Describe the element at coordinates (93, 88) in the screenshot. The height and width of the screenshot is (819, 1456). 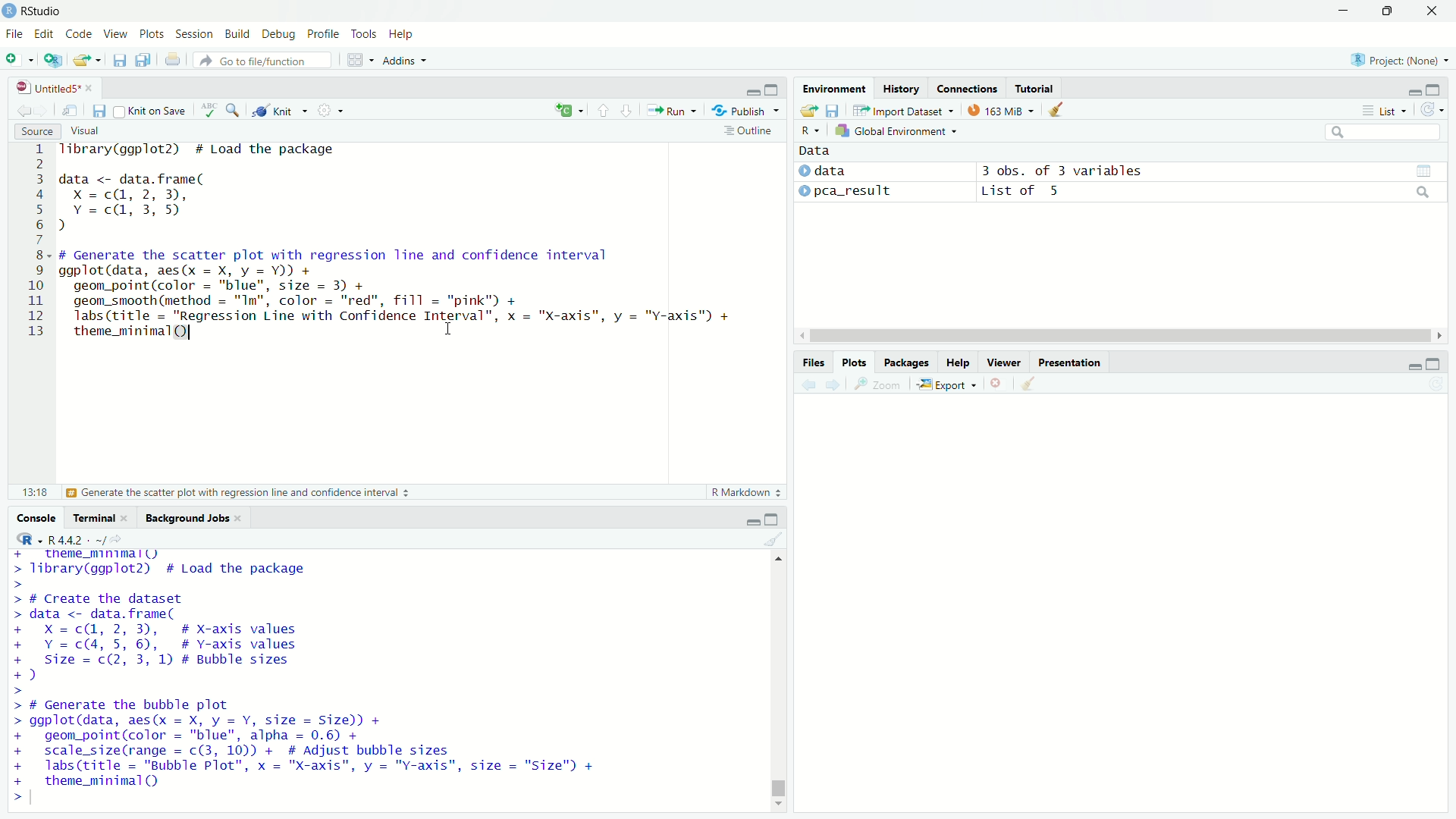
I see `close` at that location.